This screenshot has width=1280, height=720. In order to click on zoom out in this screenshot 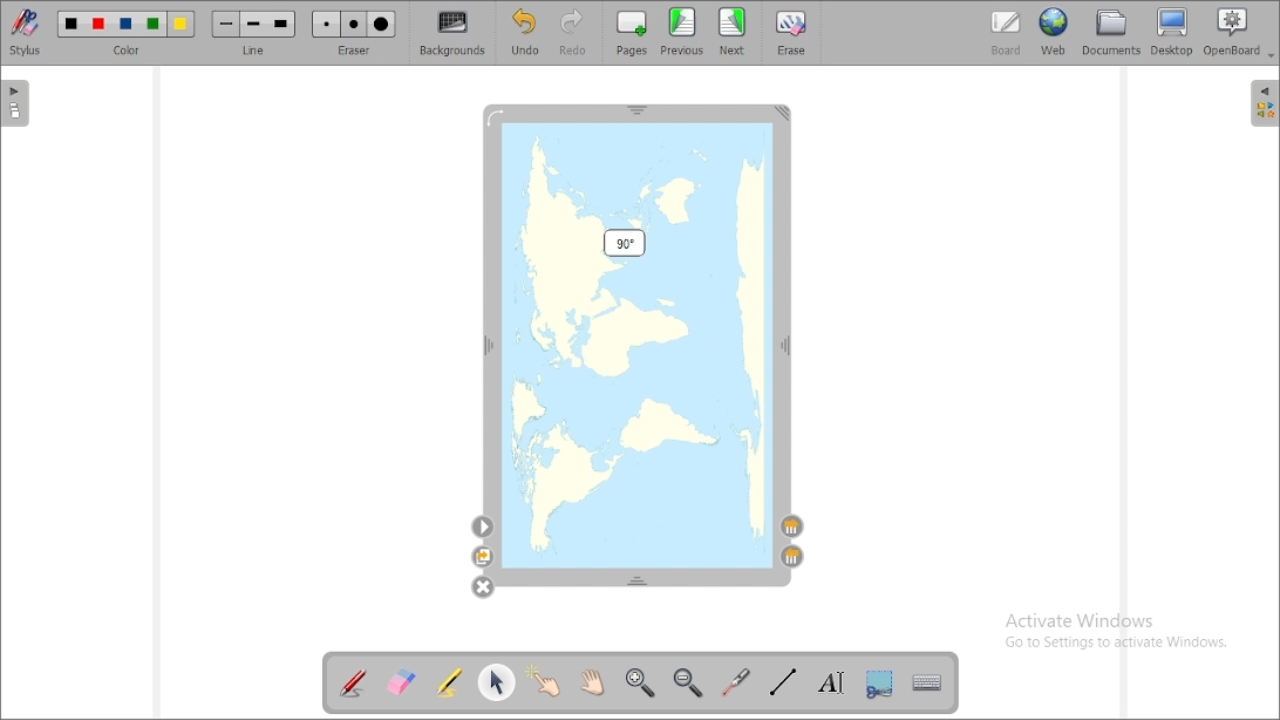, I will do `click(689, 682)`.